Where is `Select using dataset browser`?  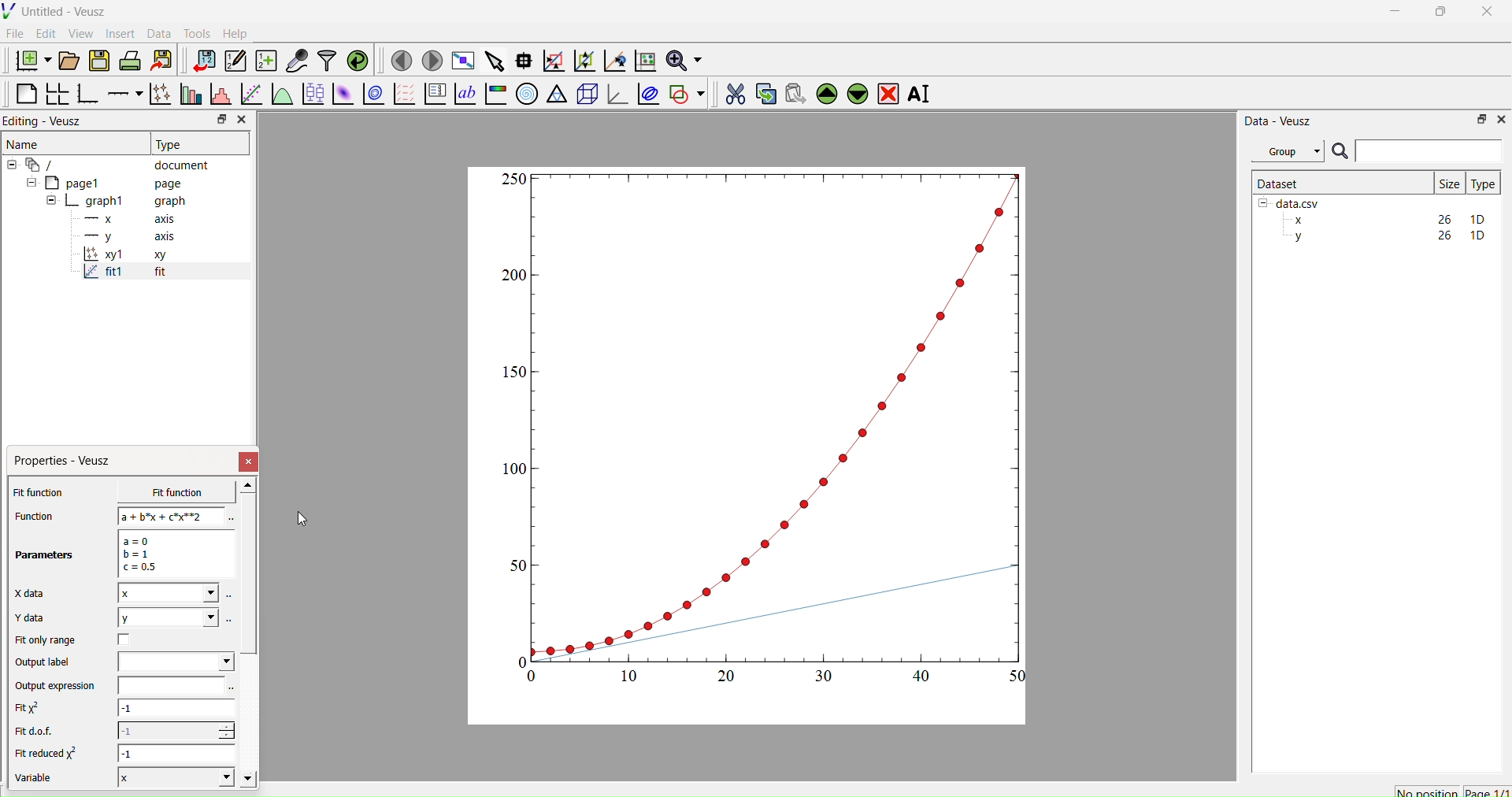
Select using dataset browser is located at coordinates (232, 689).